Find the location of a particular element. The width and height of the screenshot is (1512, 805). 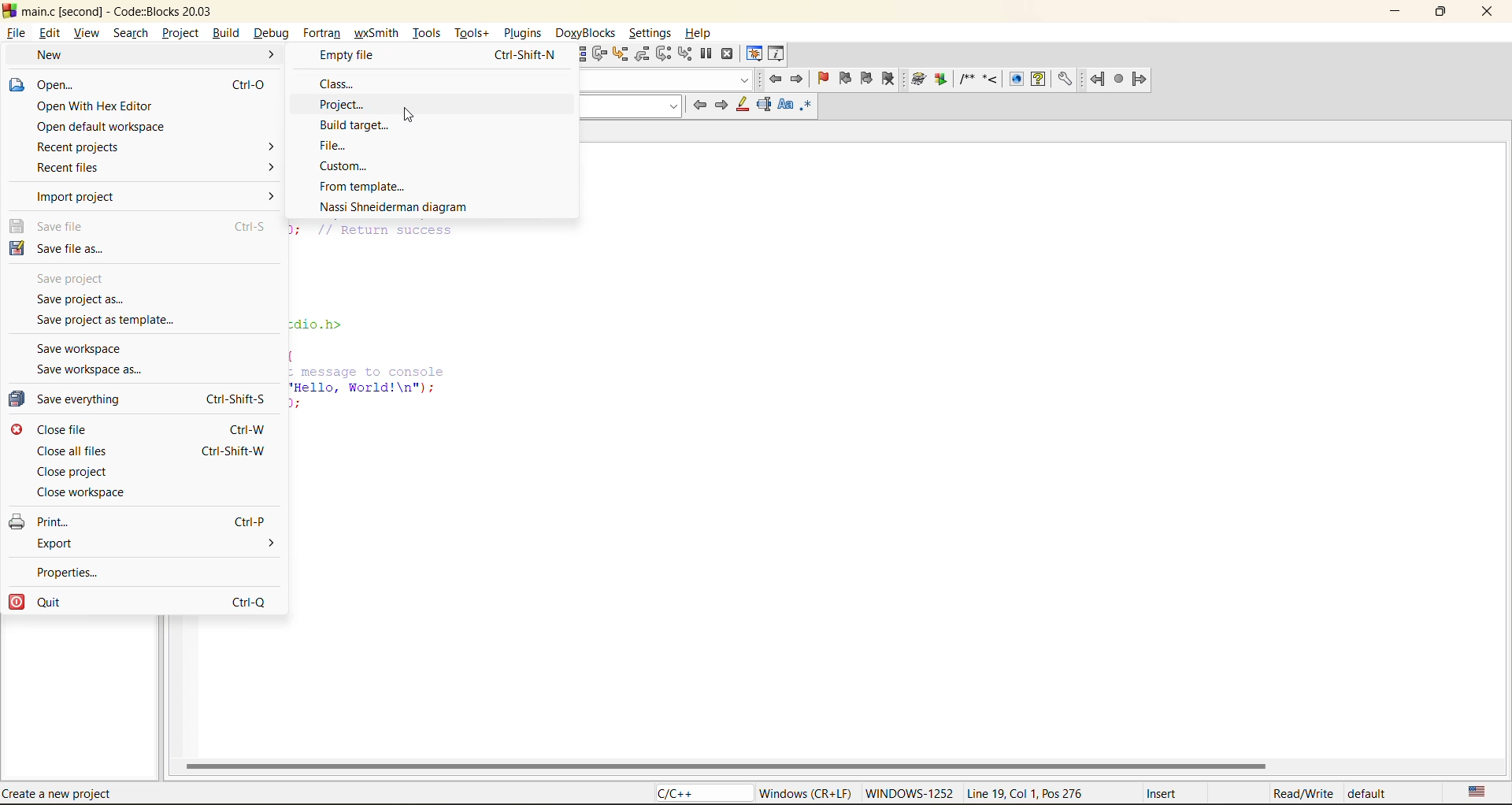

zdio.h> is located at coordinates (318, 322).